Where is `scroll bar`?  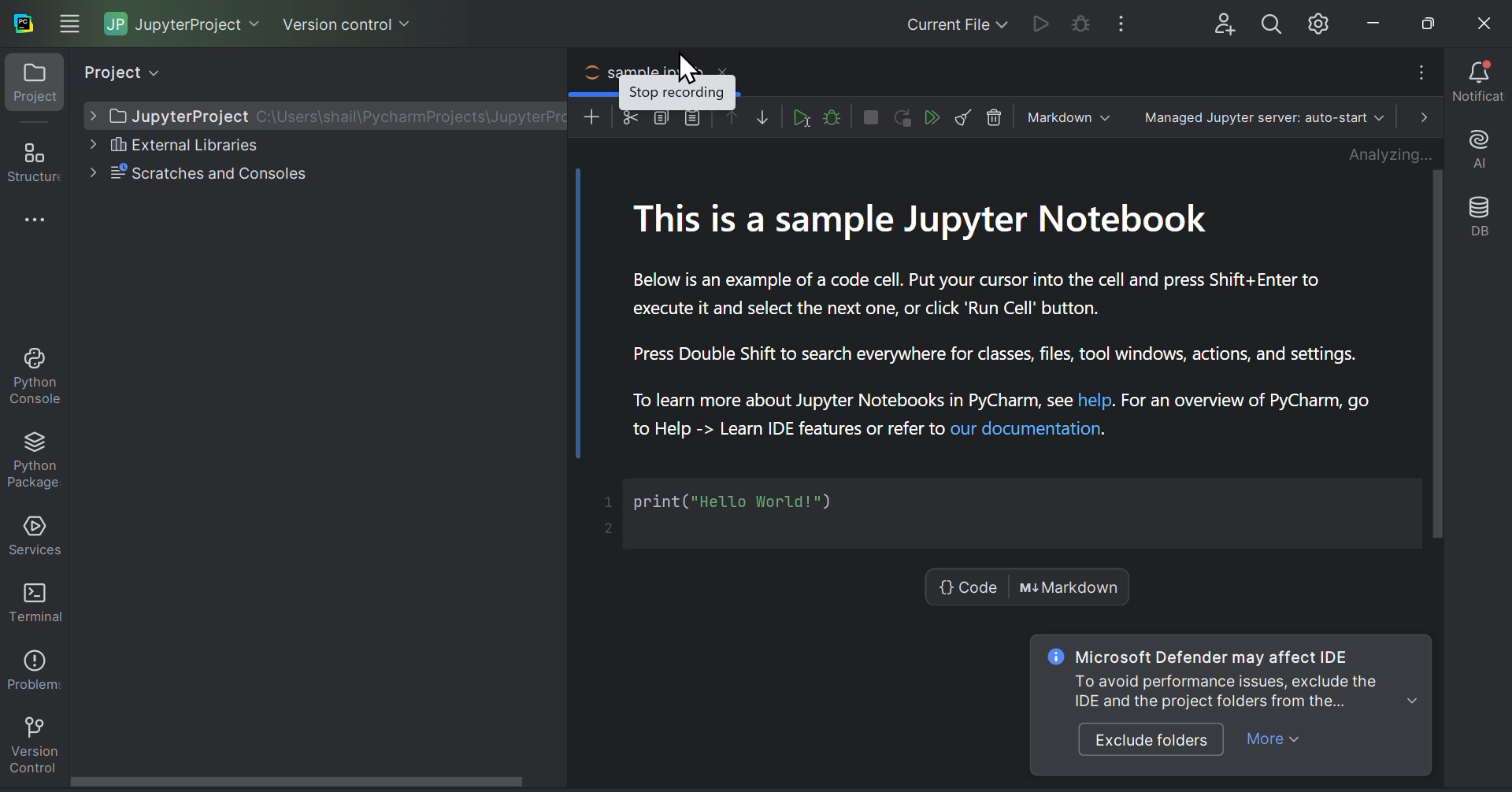
scroll bar is located at coordinates (297, 782).